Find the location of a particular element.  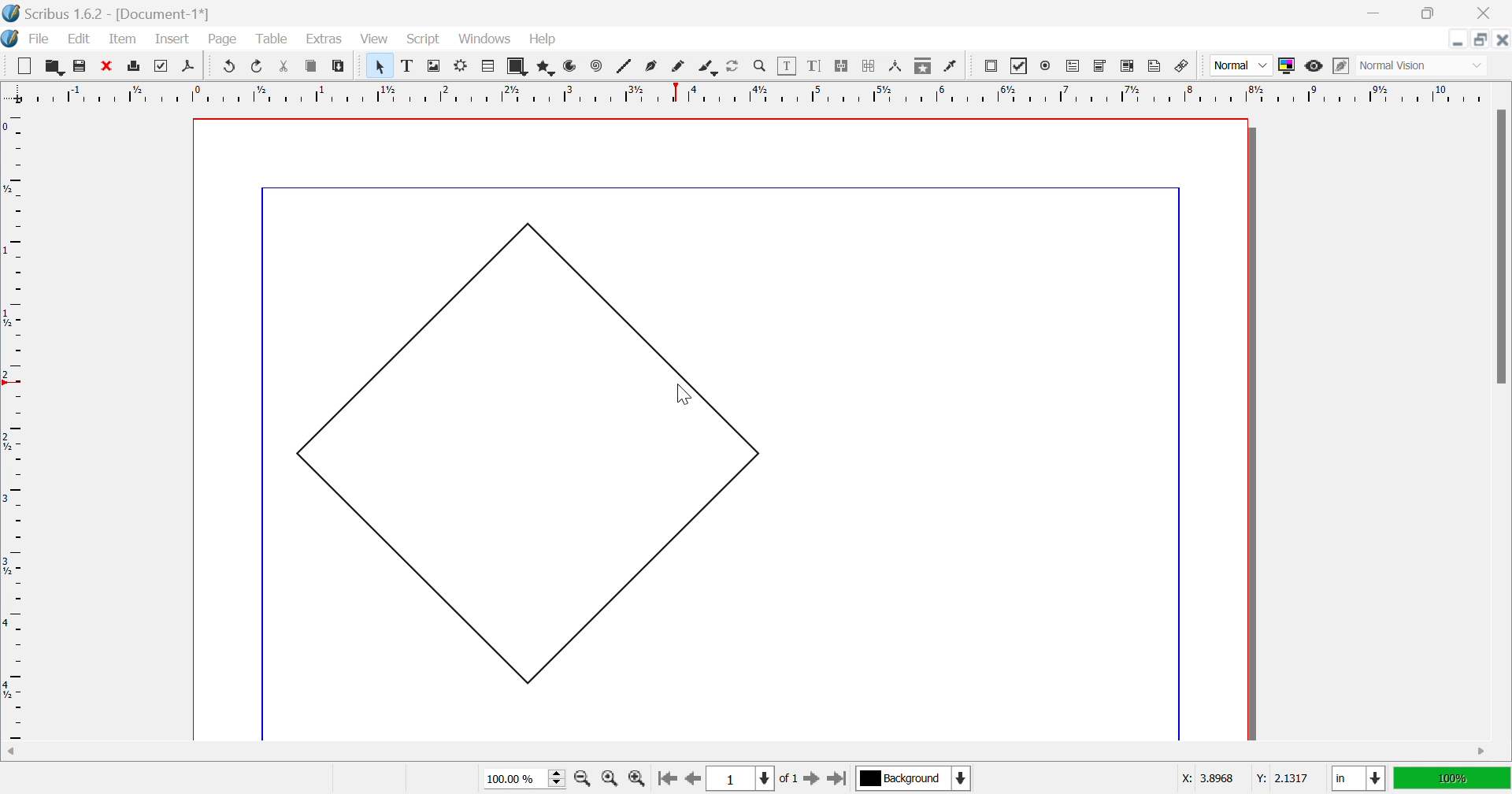

Redo is located at coordinates (258, 65).